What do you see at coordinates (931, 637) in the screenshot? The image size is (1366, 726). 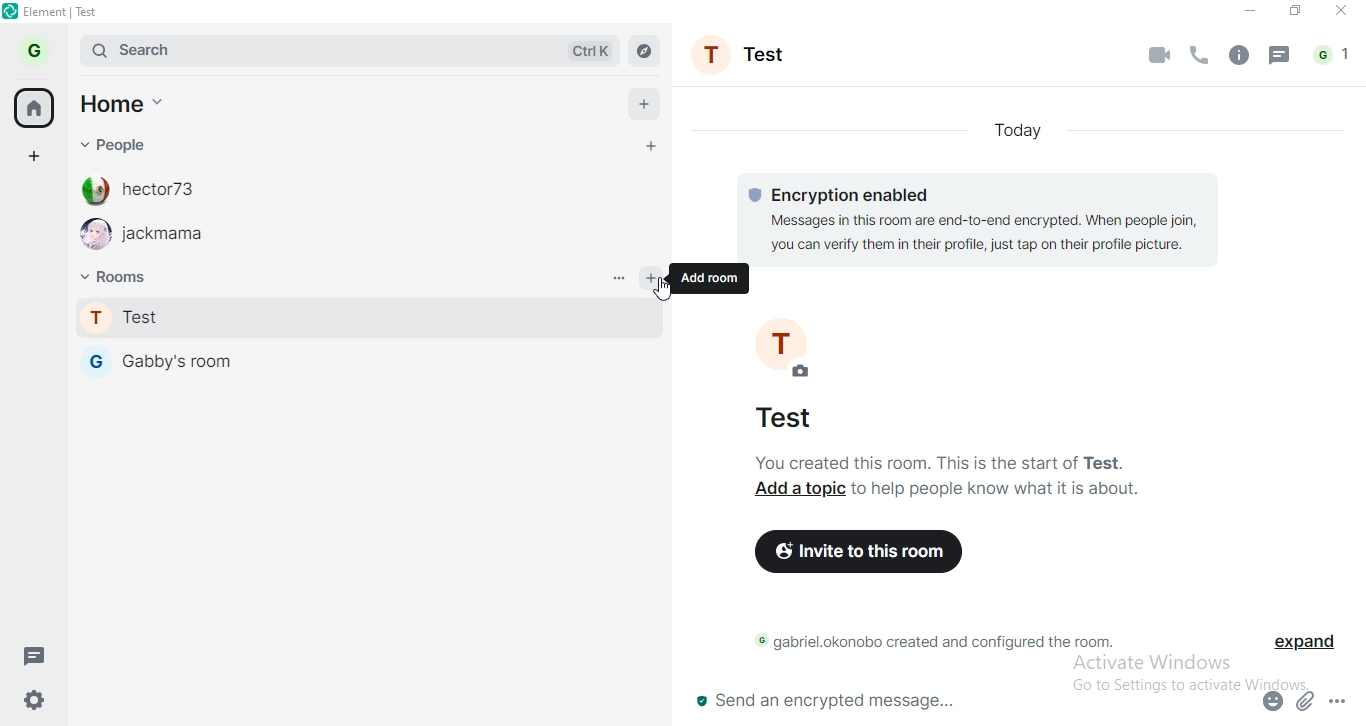 I see `© gabriel.okonobo created and configured the room.` at bounding box center [931, 637].